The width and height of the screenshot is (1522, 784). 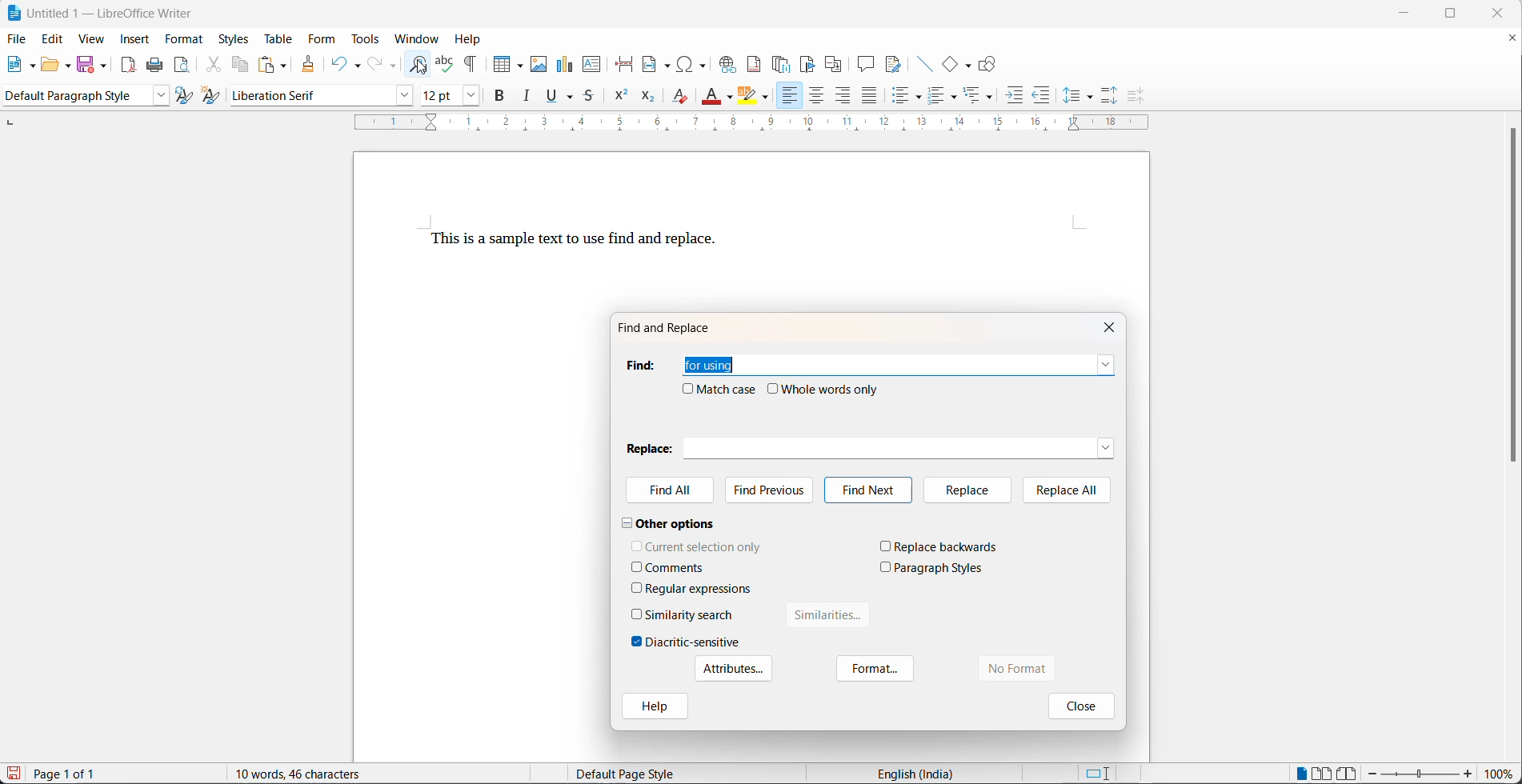 What do you see at coordinates (91, 40) in the screenshot?
I see `view` at bounding box center [91, 40].